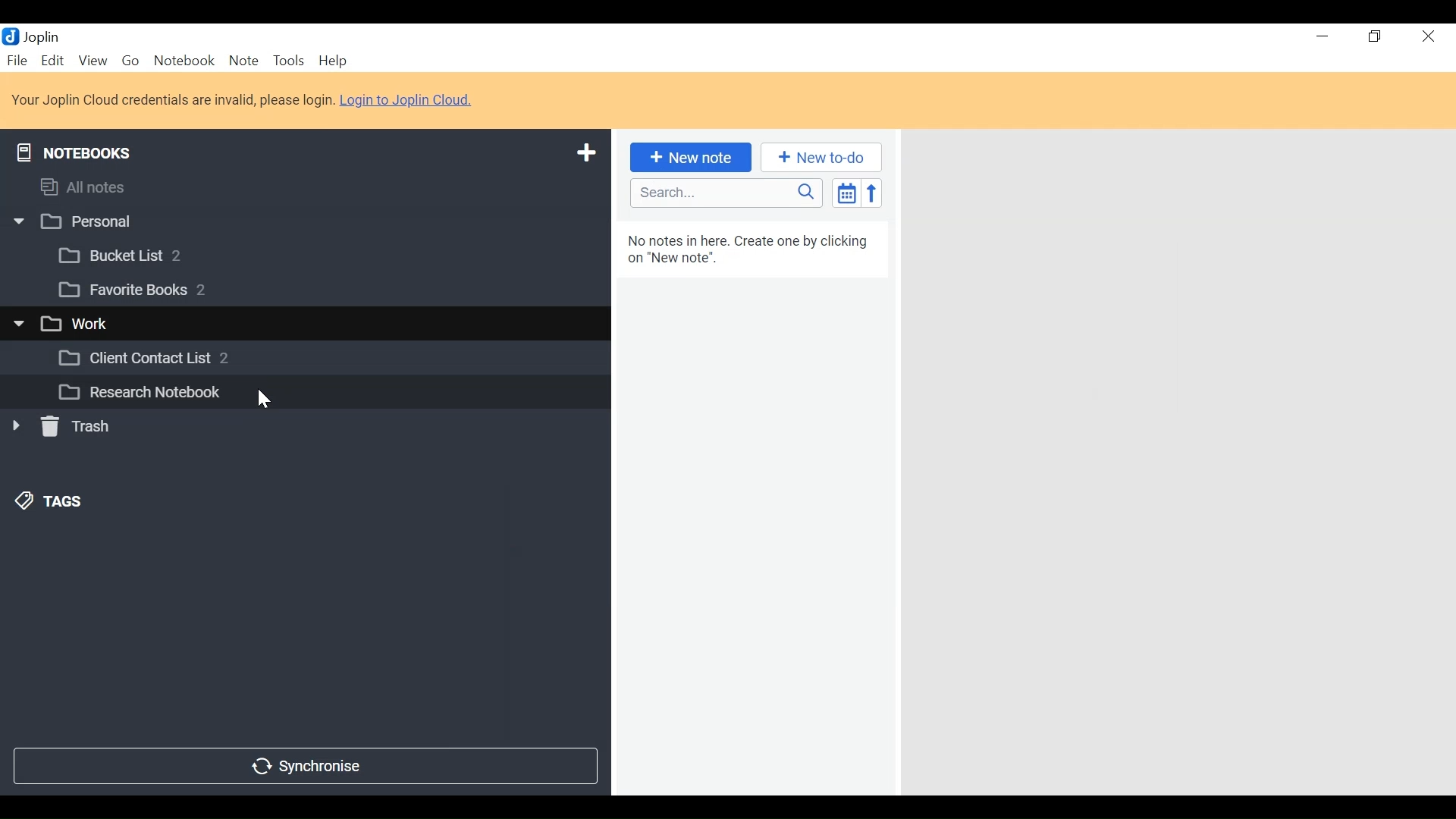 This screenshot has height=819, width=1456. I want to click on Synchronize, so click(304, 764).